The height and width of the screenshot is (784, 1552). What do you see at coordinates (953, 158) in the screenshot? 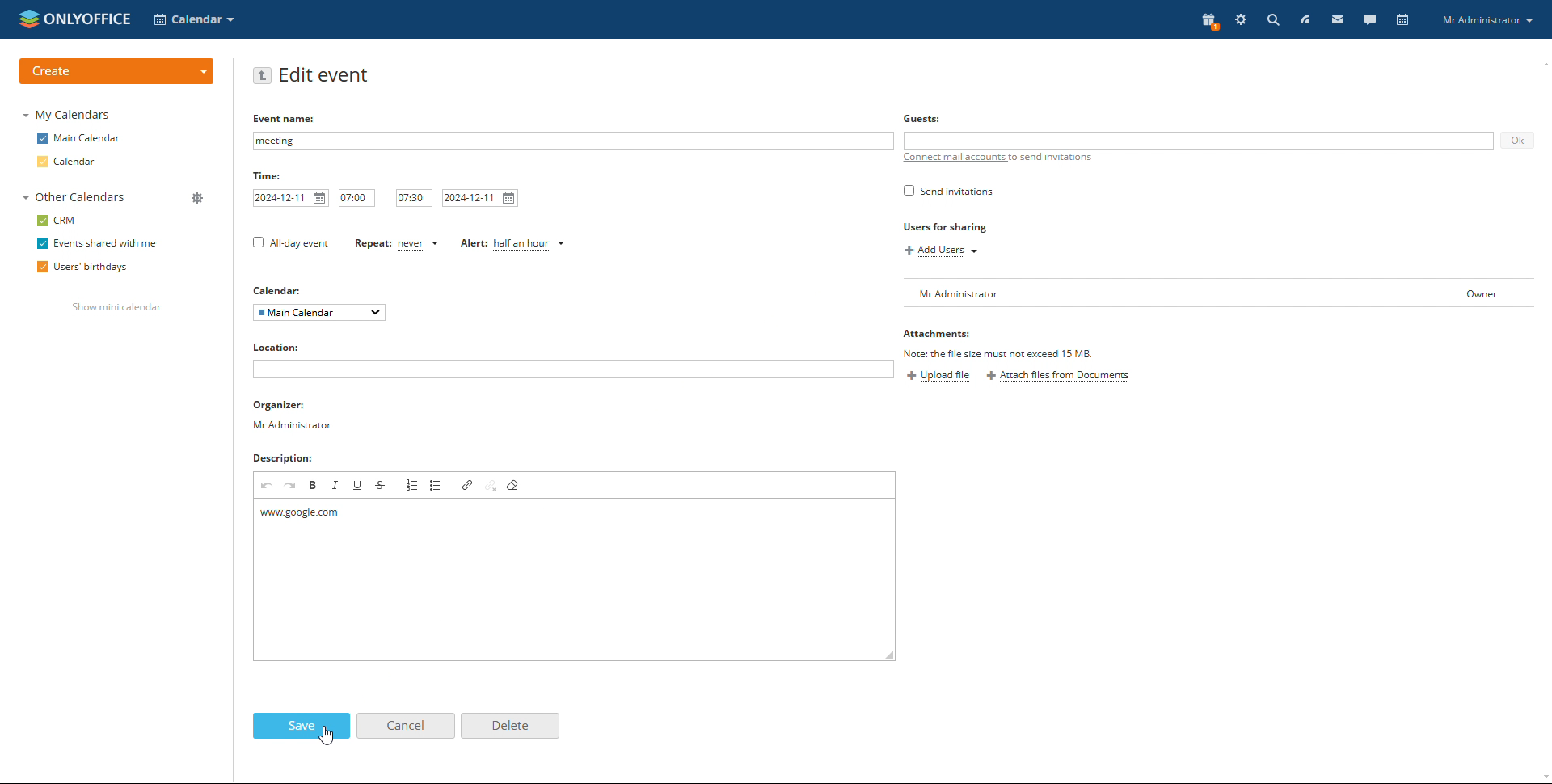
I see `connect mail accounts` at bounding box center [953, 158].